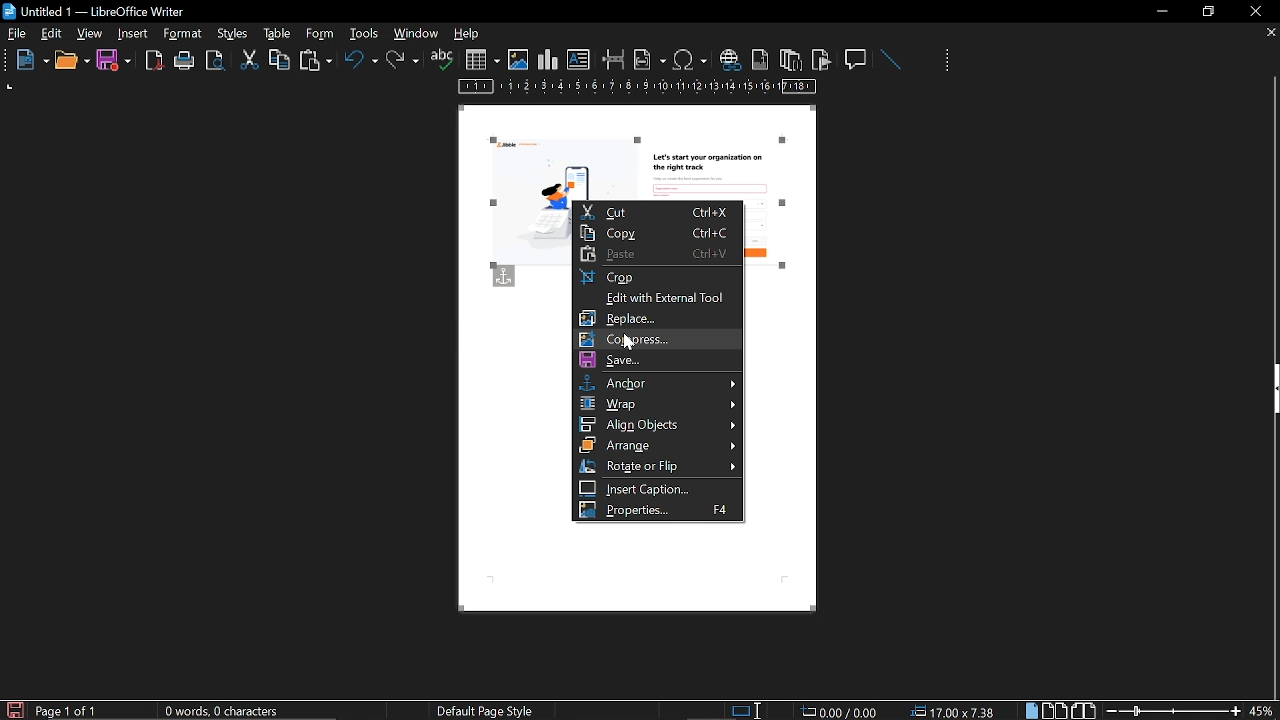  Describe the element at coordinates (748, 710) in the screenshot. I see `standard selection` at that location.